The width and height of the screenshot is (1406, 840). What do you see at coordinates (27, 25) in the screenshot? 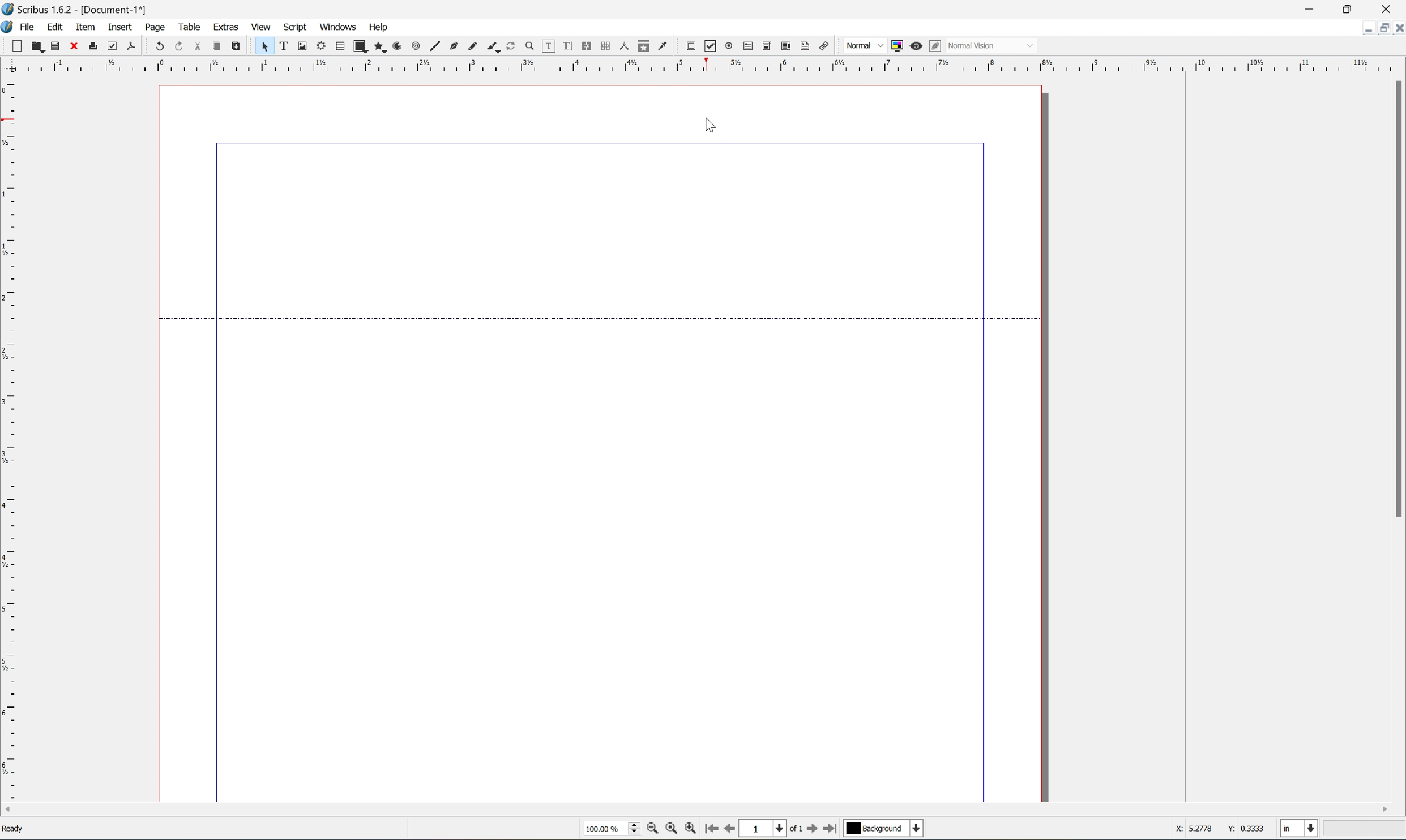
I see `file` at bounding box center [27, 25].